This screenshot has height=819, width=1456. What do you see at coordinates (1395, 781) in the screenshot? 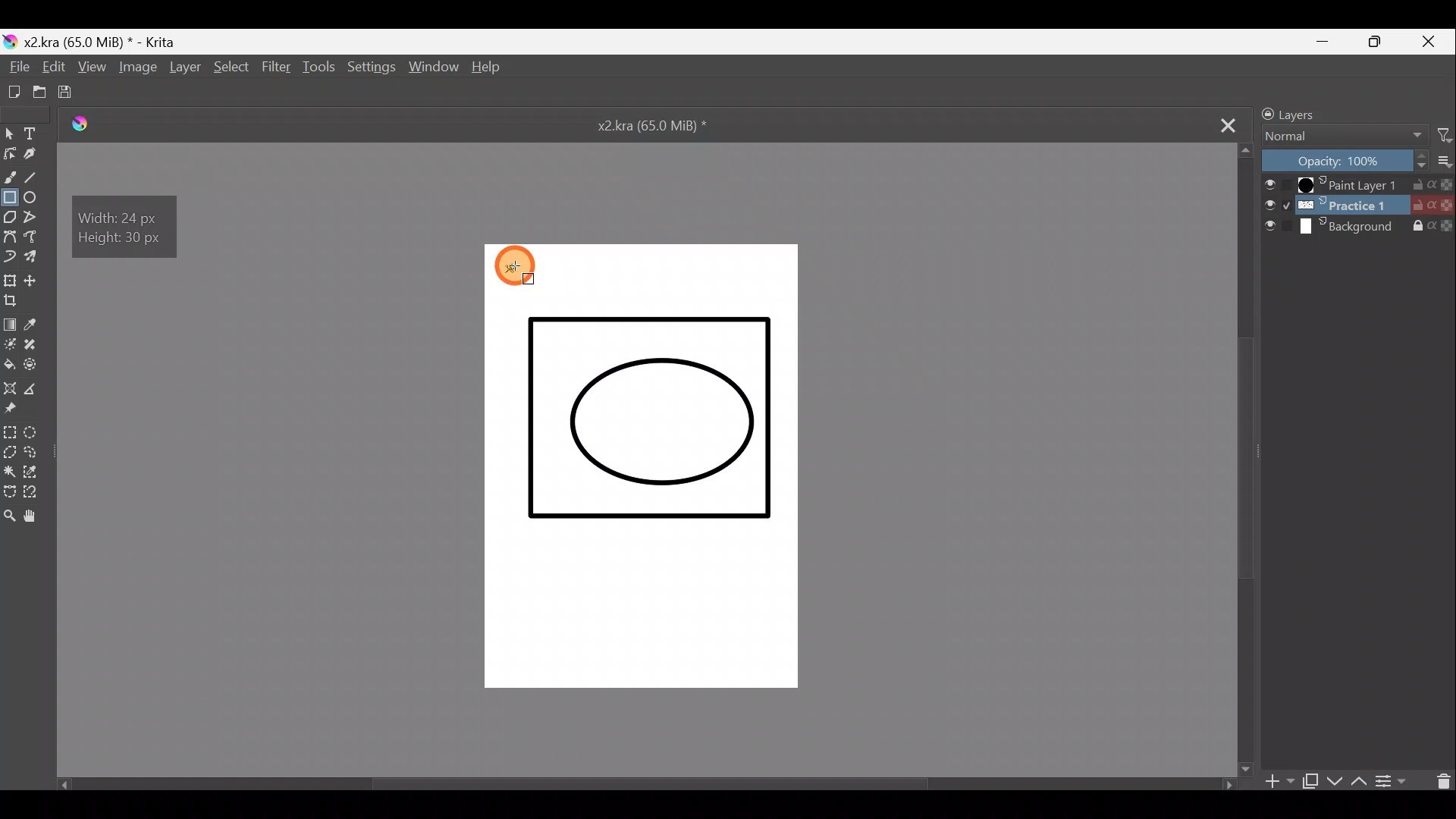
I see `View/change layer properties` at bounding box center [1395, 781].